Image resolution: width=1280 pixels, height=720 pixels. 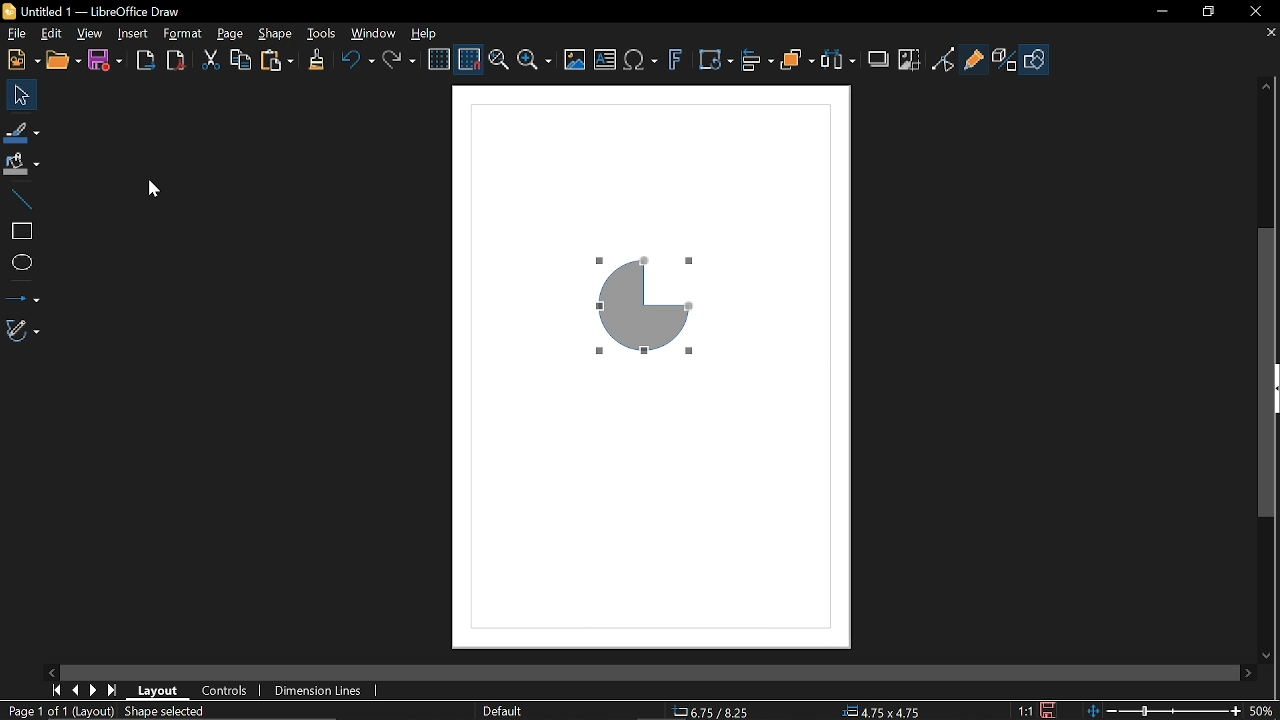 I want to click on Copy, so click(x=241, y=61).